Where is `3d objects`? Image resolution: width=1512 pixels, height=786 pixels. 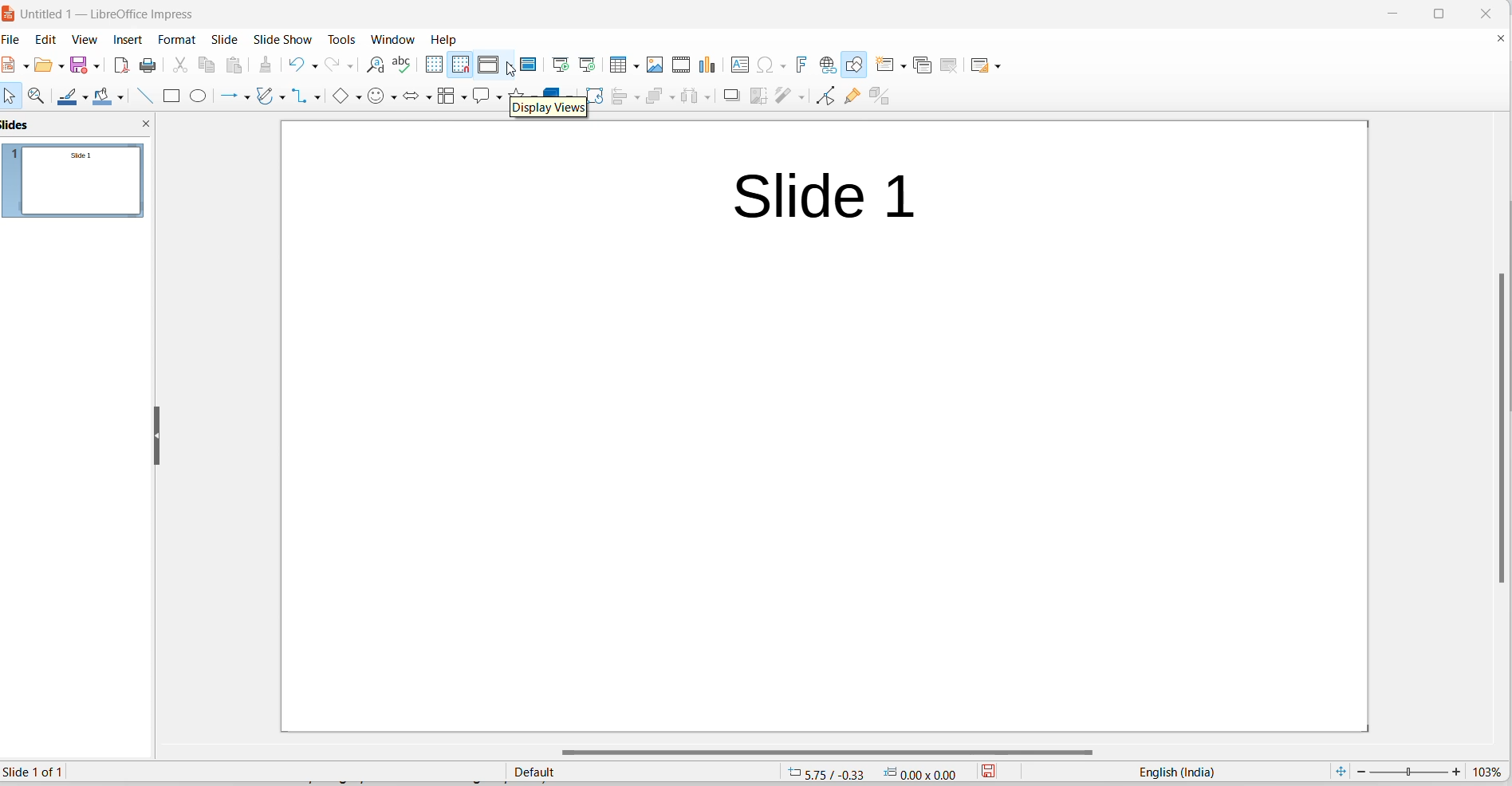
3d objects is located at coordinates (561, 89).